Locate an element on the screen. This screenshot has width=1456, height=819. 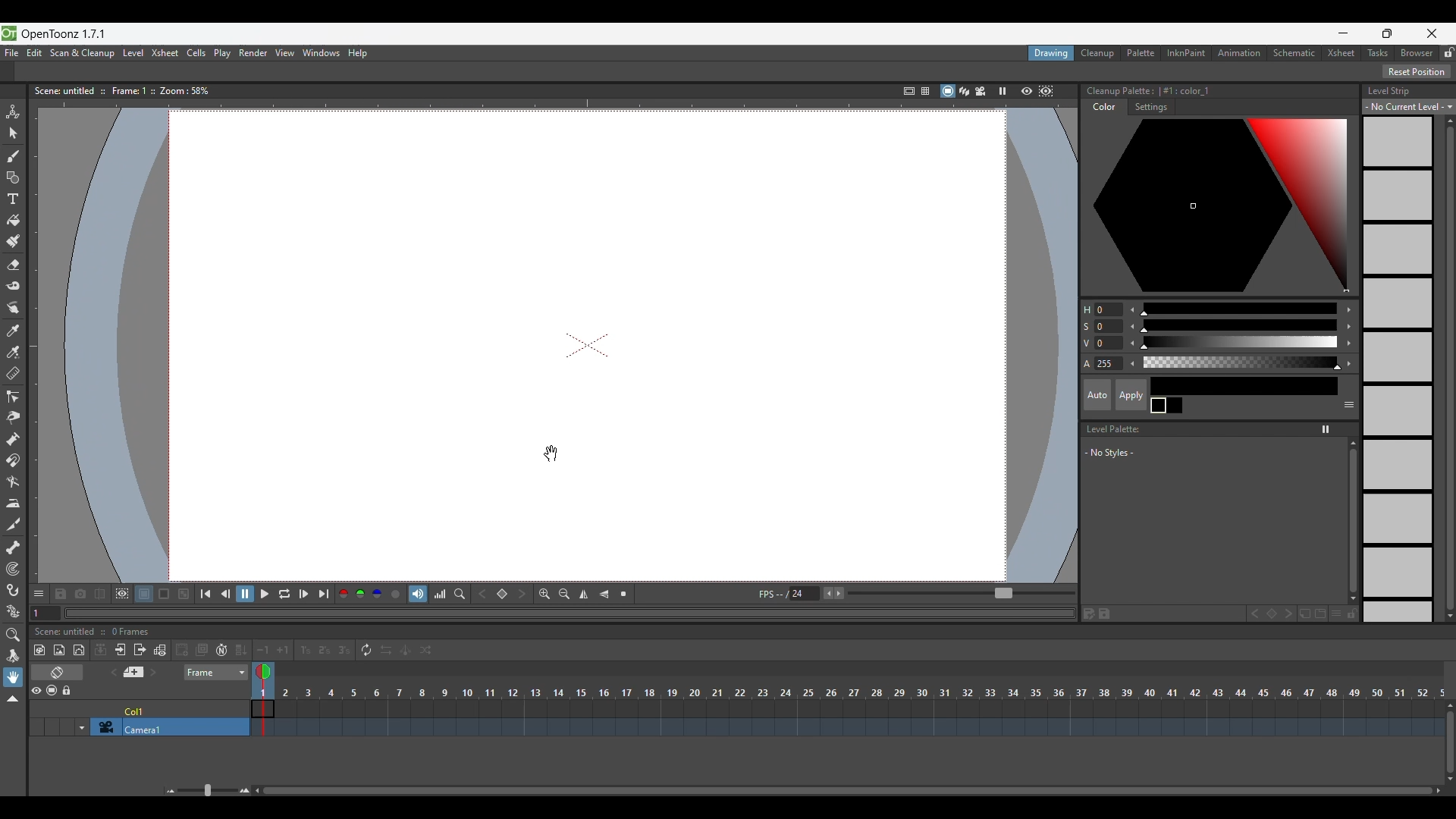
Cutter tool is located at coordinates (13, 524).